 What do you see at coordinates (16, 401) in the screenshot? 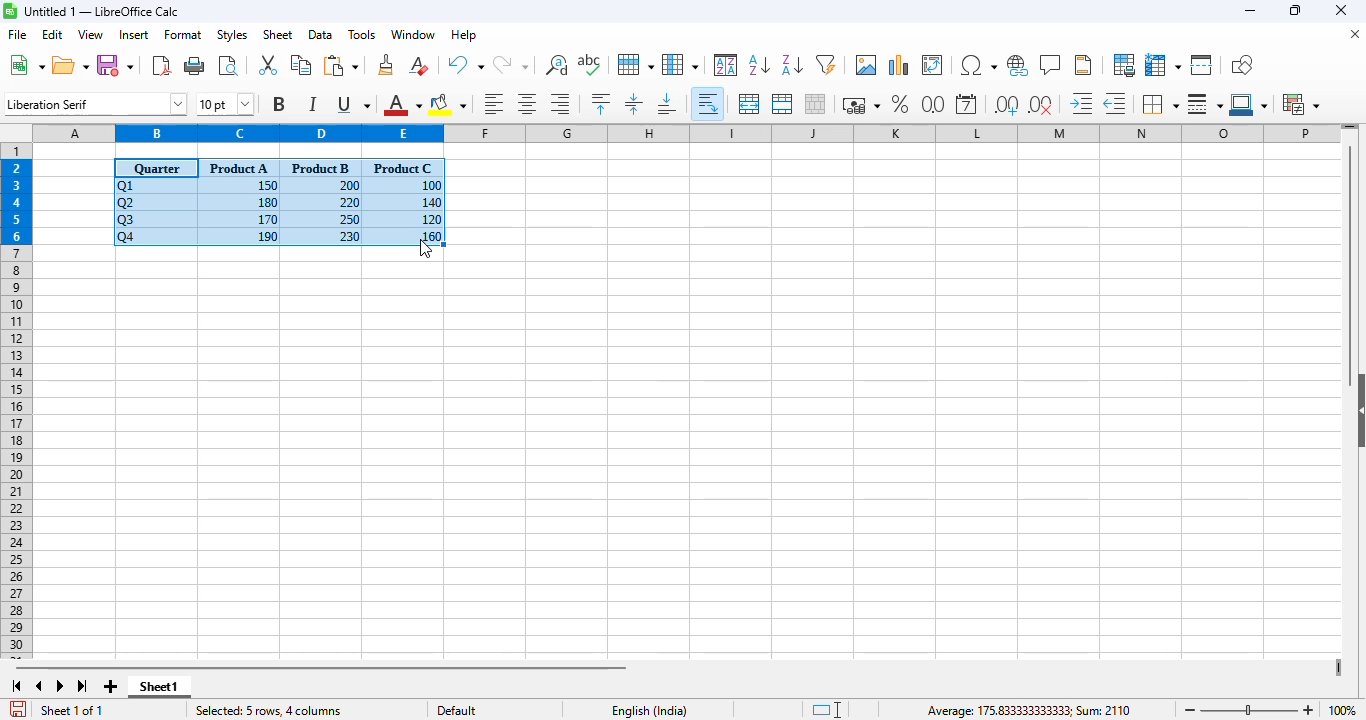
I see `rows` at bounding box center [16, 401].